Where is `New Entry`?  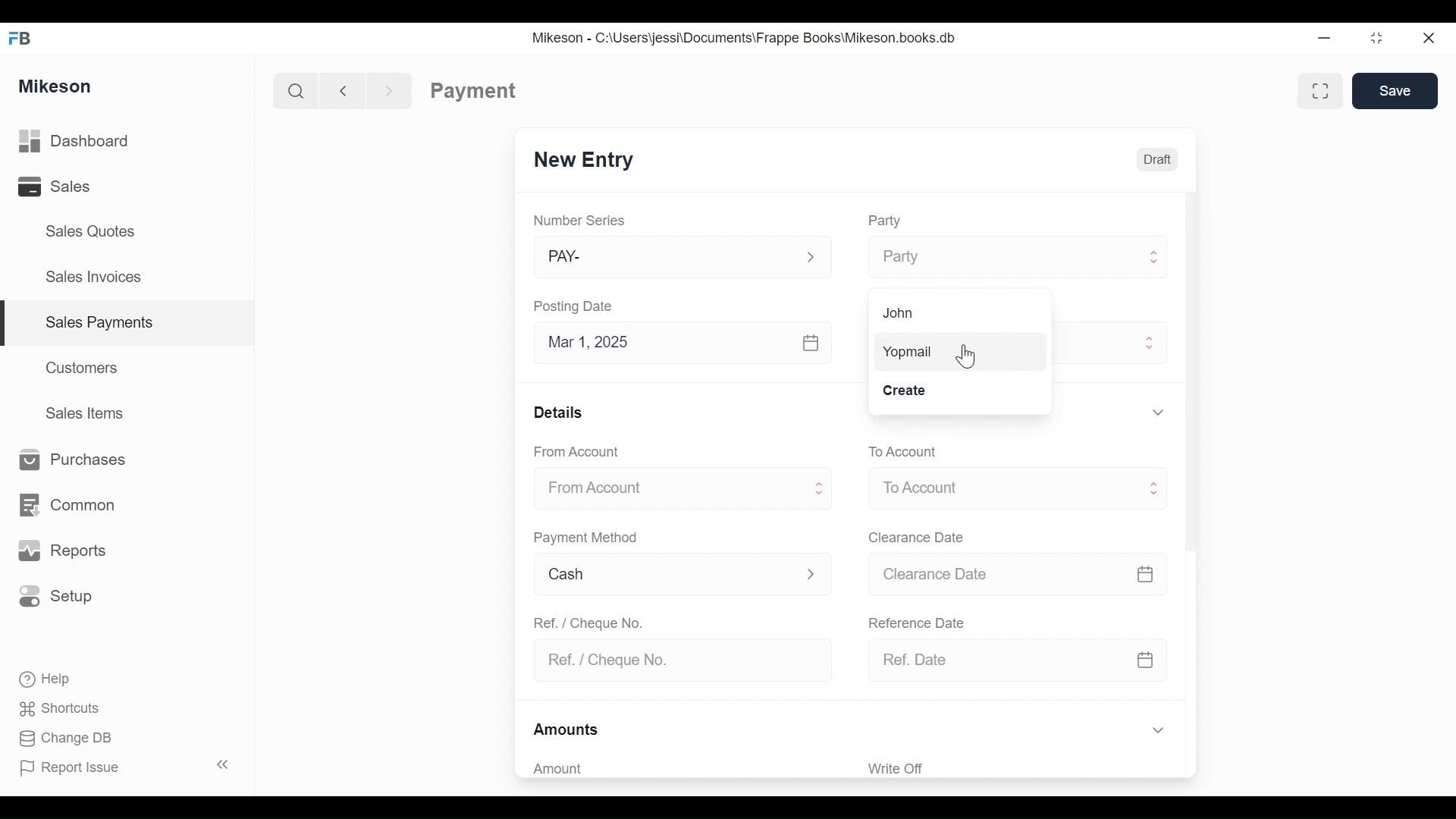 New Entry is located at coordinates (583, 158).